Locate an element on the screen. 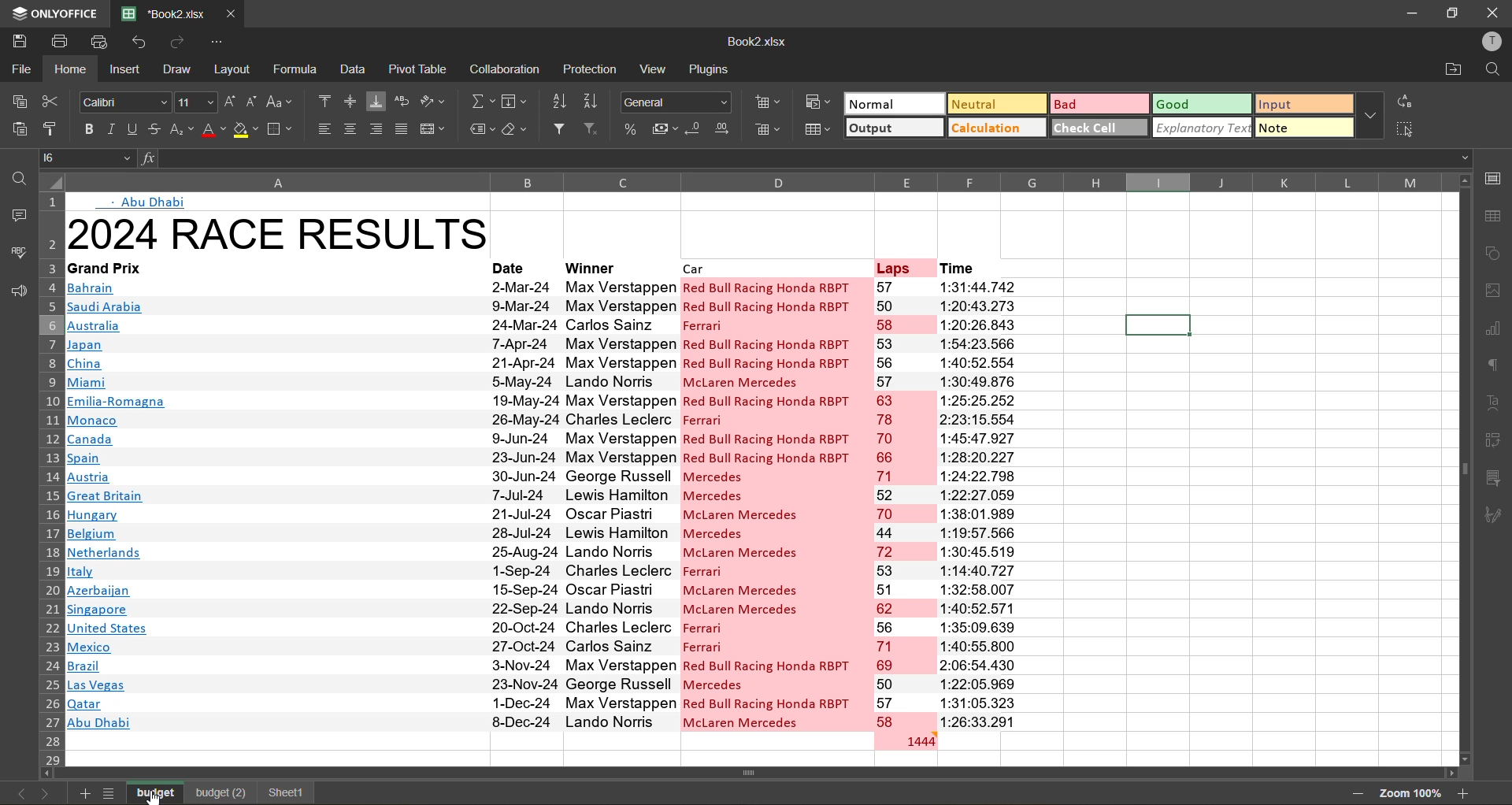  row numbers is located at coordinates (49, 484).